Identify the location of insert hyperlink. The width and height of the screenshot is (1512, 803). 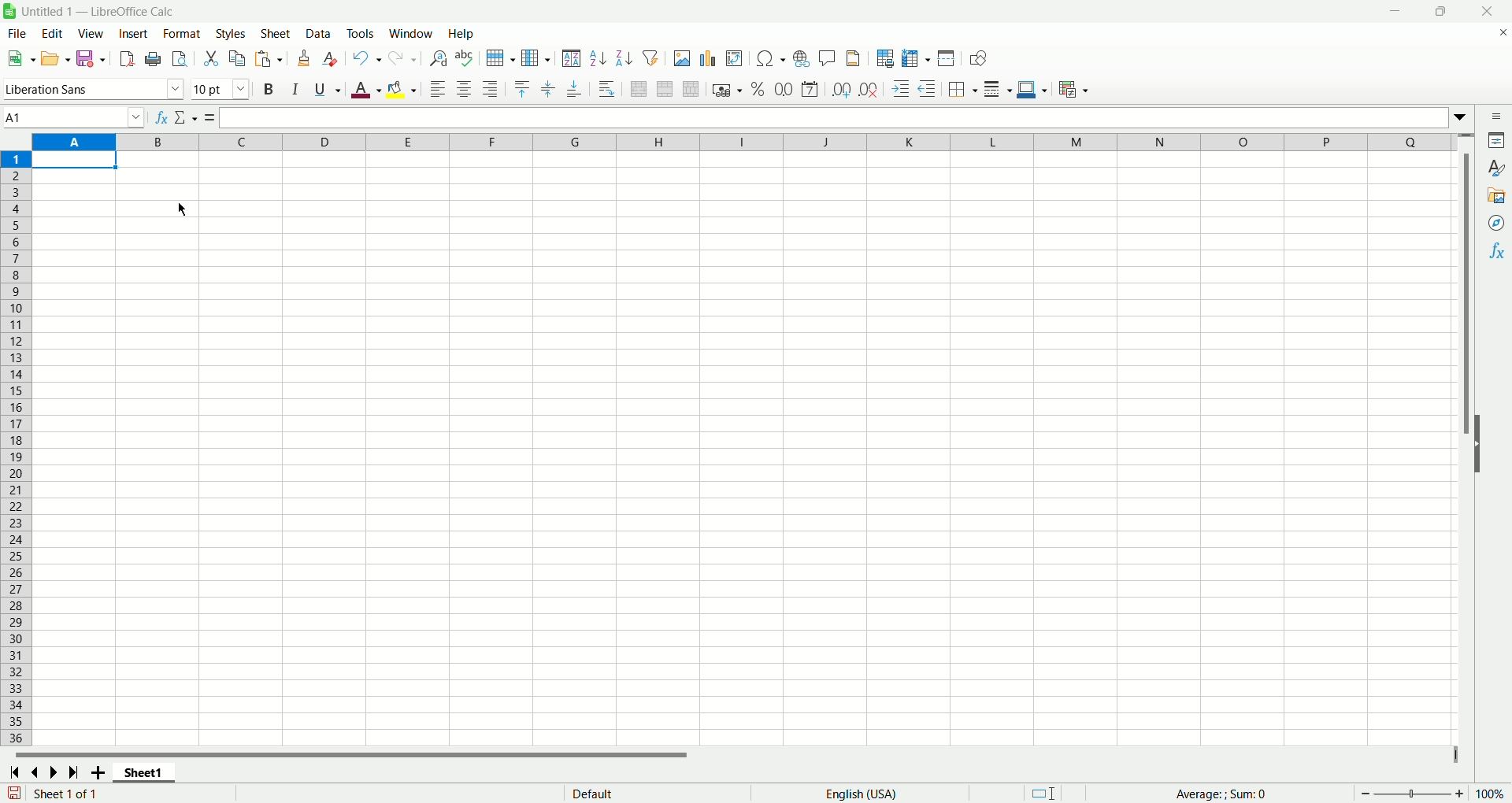
(800, 61).